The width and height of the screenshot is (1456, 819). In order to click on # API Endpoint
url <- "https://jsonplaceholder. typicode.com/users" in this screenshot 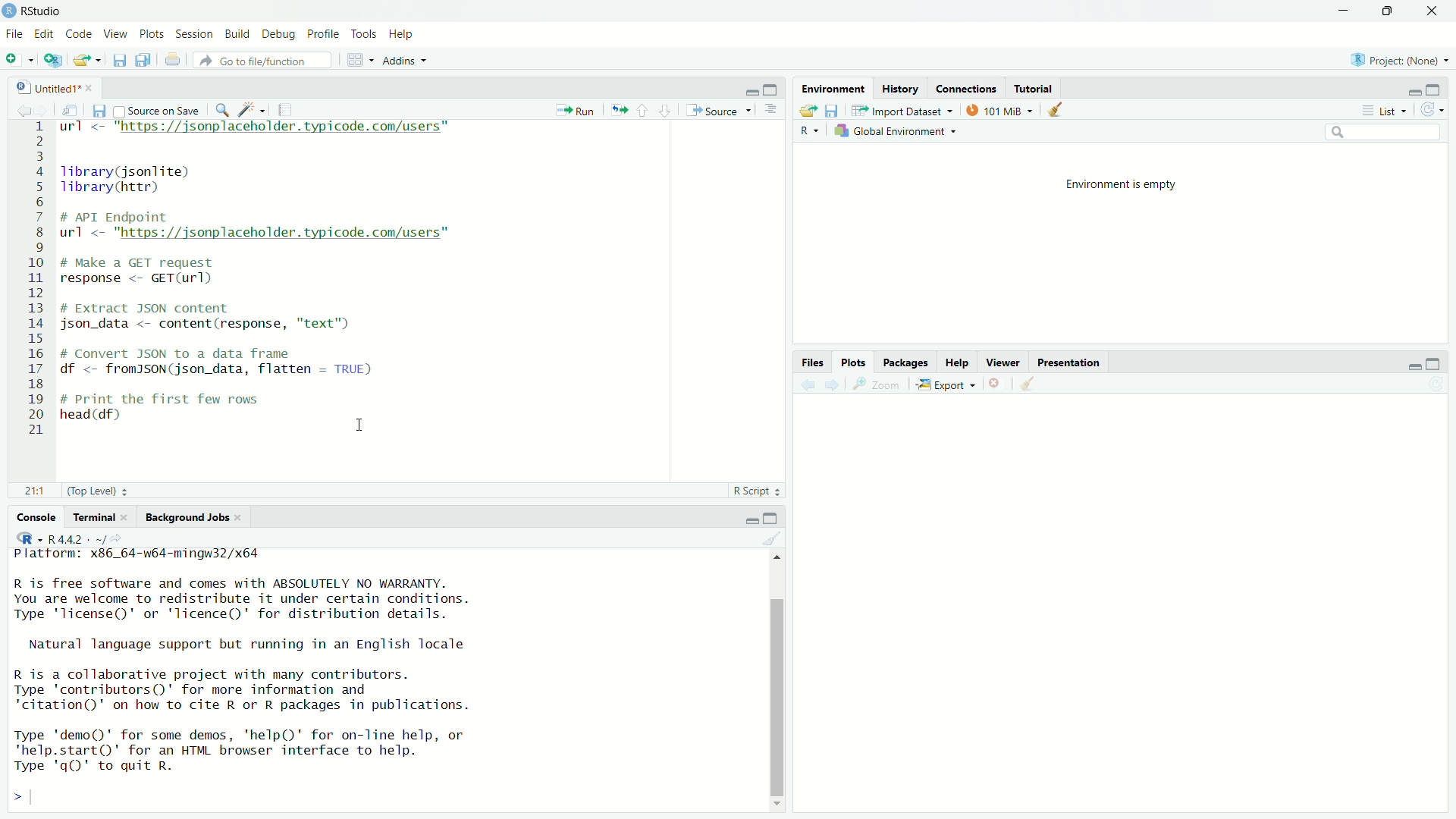, I will do `click(260, 227)`.